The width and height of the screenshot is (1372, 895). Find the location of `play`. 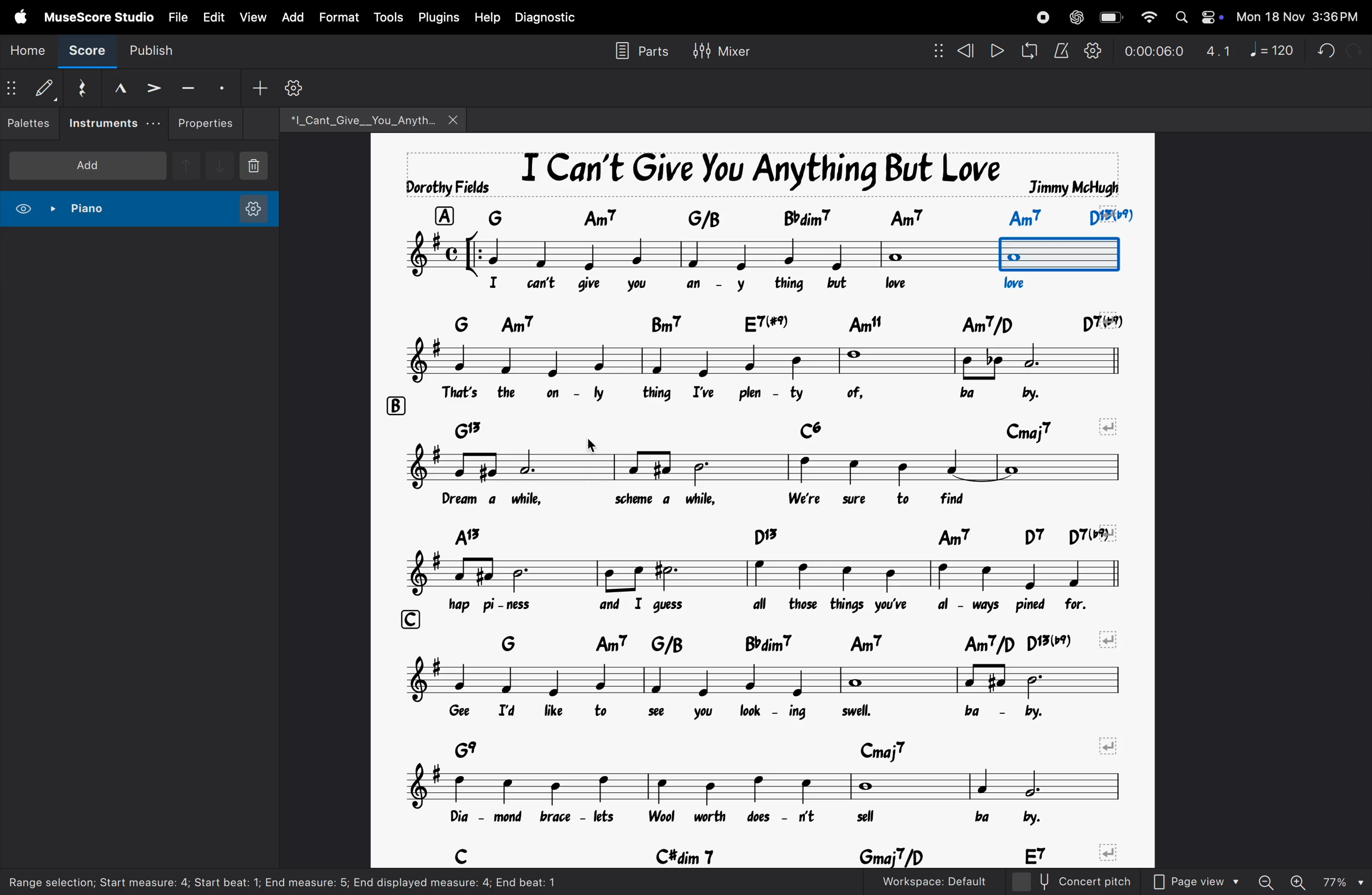

play is located at coordinates (997, 51).